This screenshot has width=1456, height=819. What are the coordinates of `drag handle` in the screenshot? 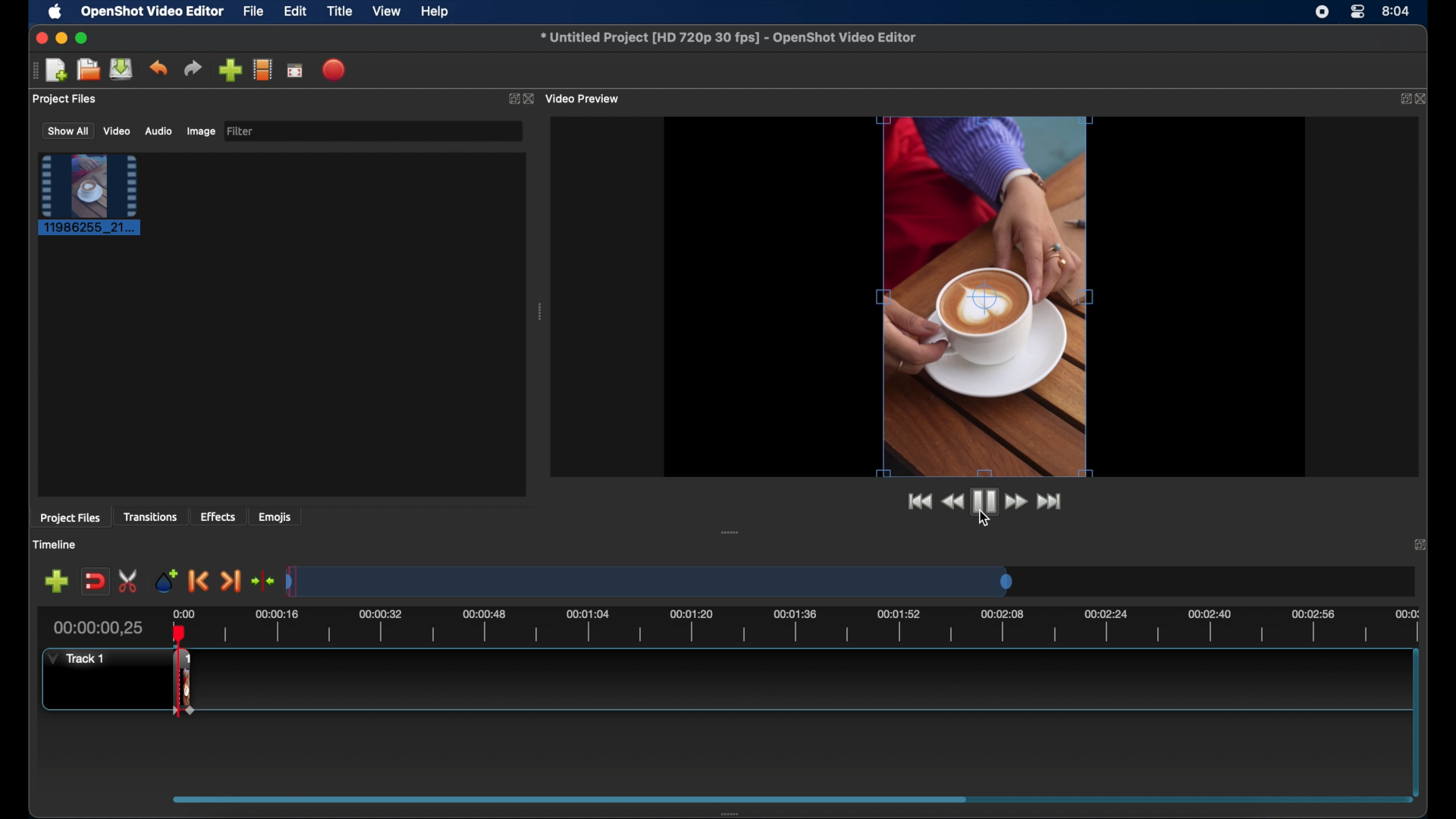 It's located at (739, 811).